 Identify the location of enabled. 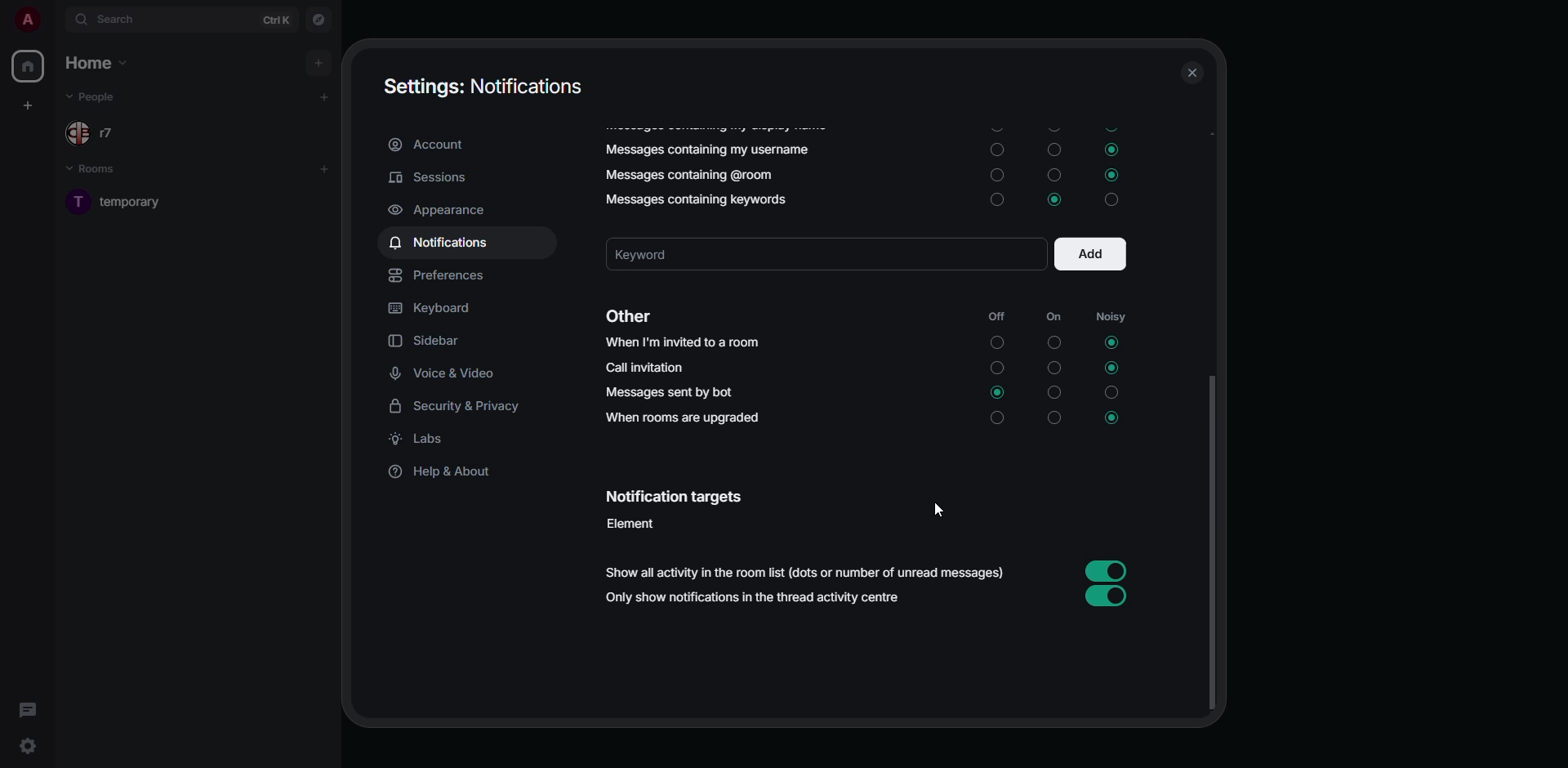
(1107, 597).